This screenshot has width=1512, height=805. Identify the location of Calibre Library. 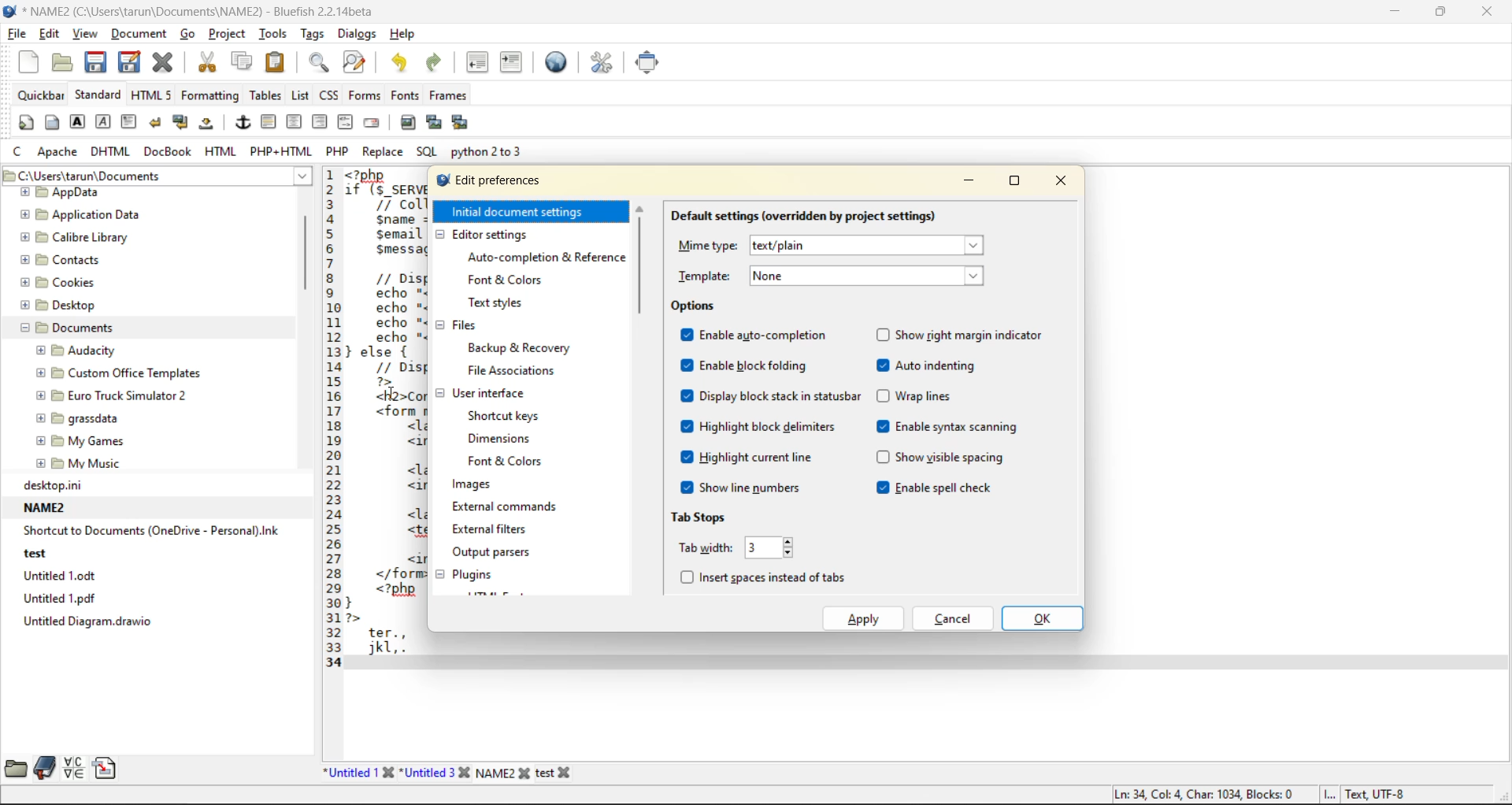
(75, 236).